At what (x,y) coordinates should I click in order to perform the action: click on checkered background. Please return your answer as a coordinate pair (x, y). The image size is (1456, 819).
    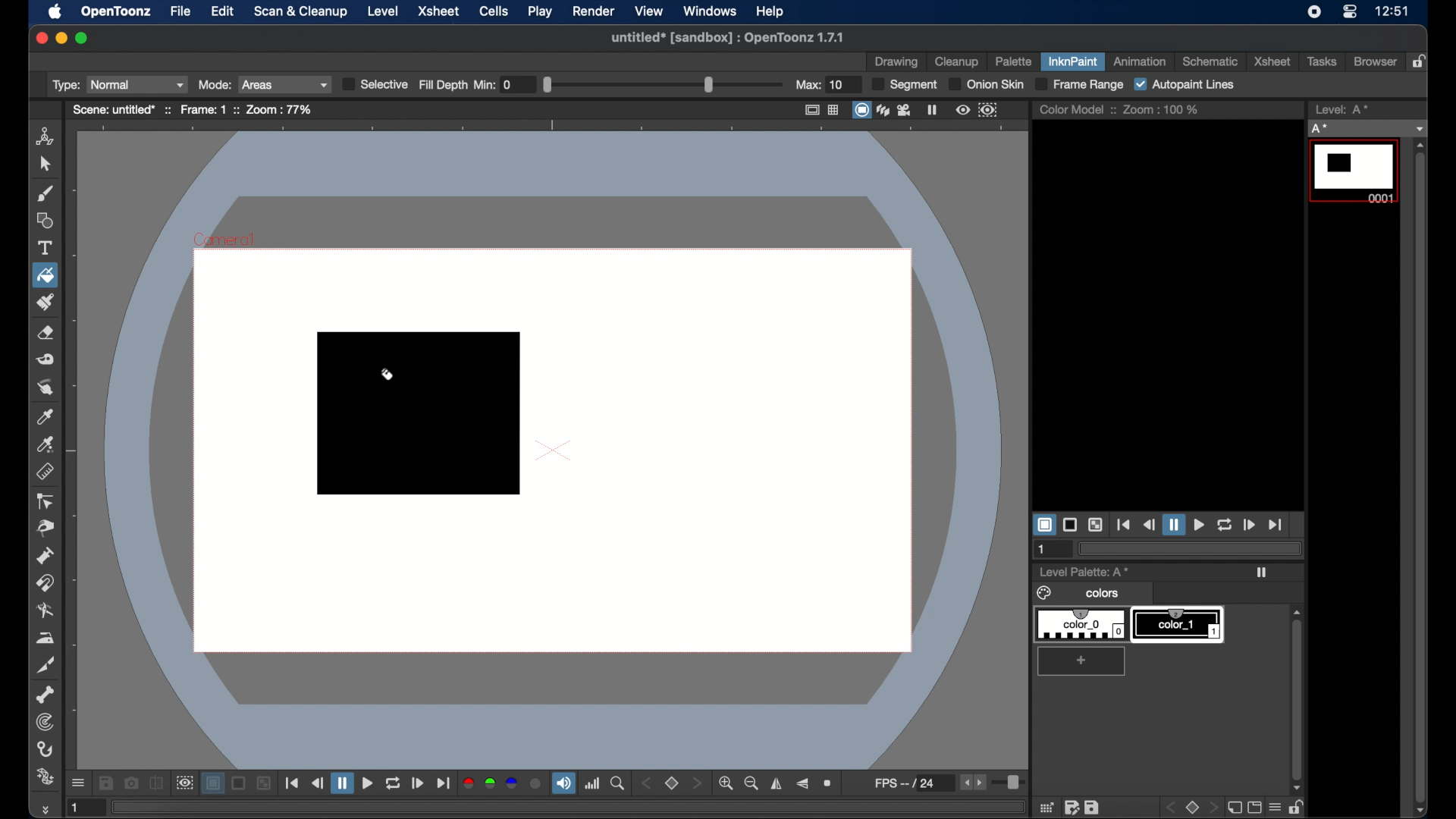
    Looking at the image, I should click on (1095, 526).